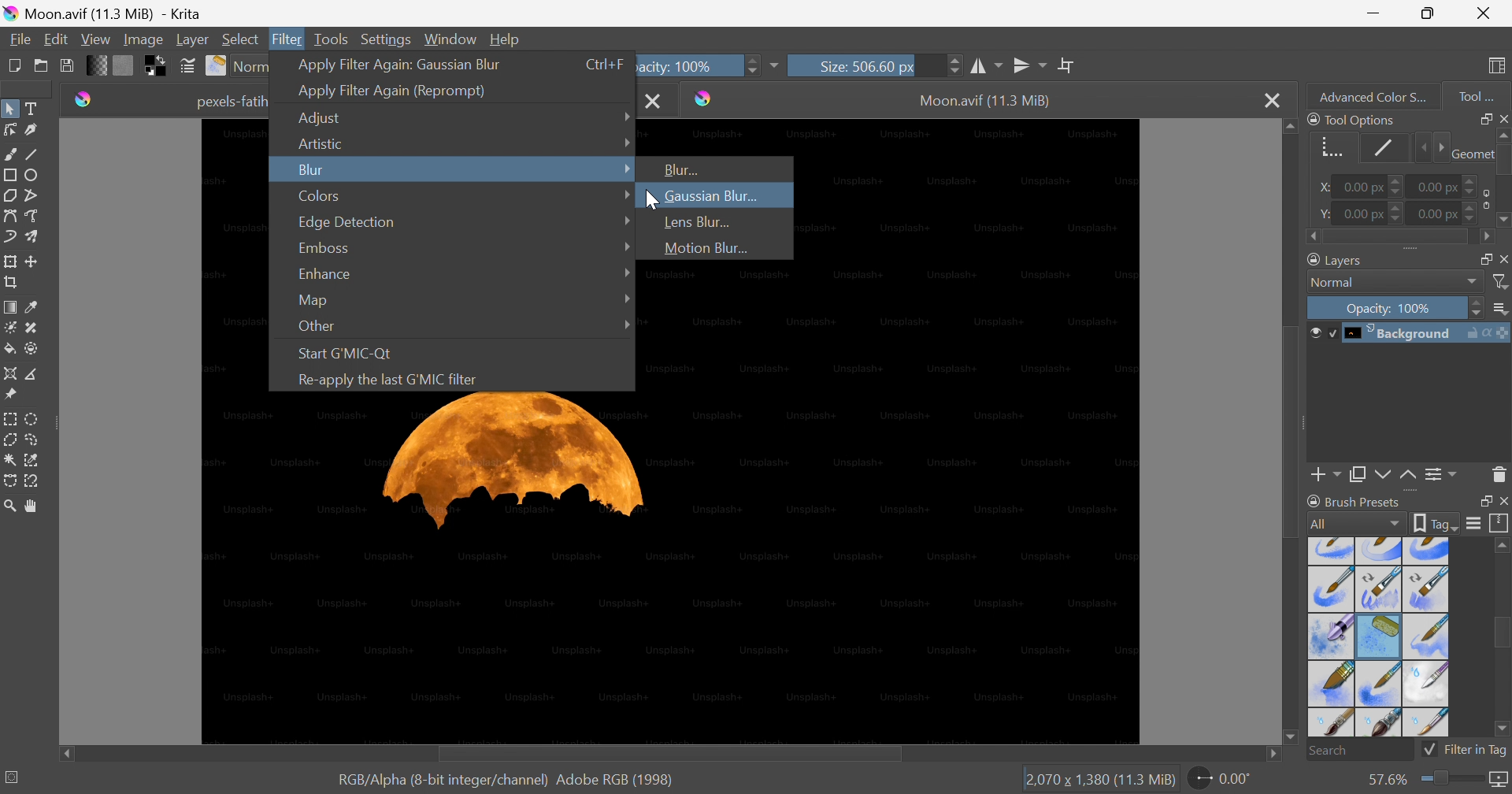 The width and height of the screenshot is (1512, 794). Describe the element at coordinates (80, 102) in the screenshot. I see `Krita icon` at that location.